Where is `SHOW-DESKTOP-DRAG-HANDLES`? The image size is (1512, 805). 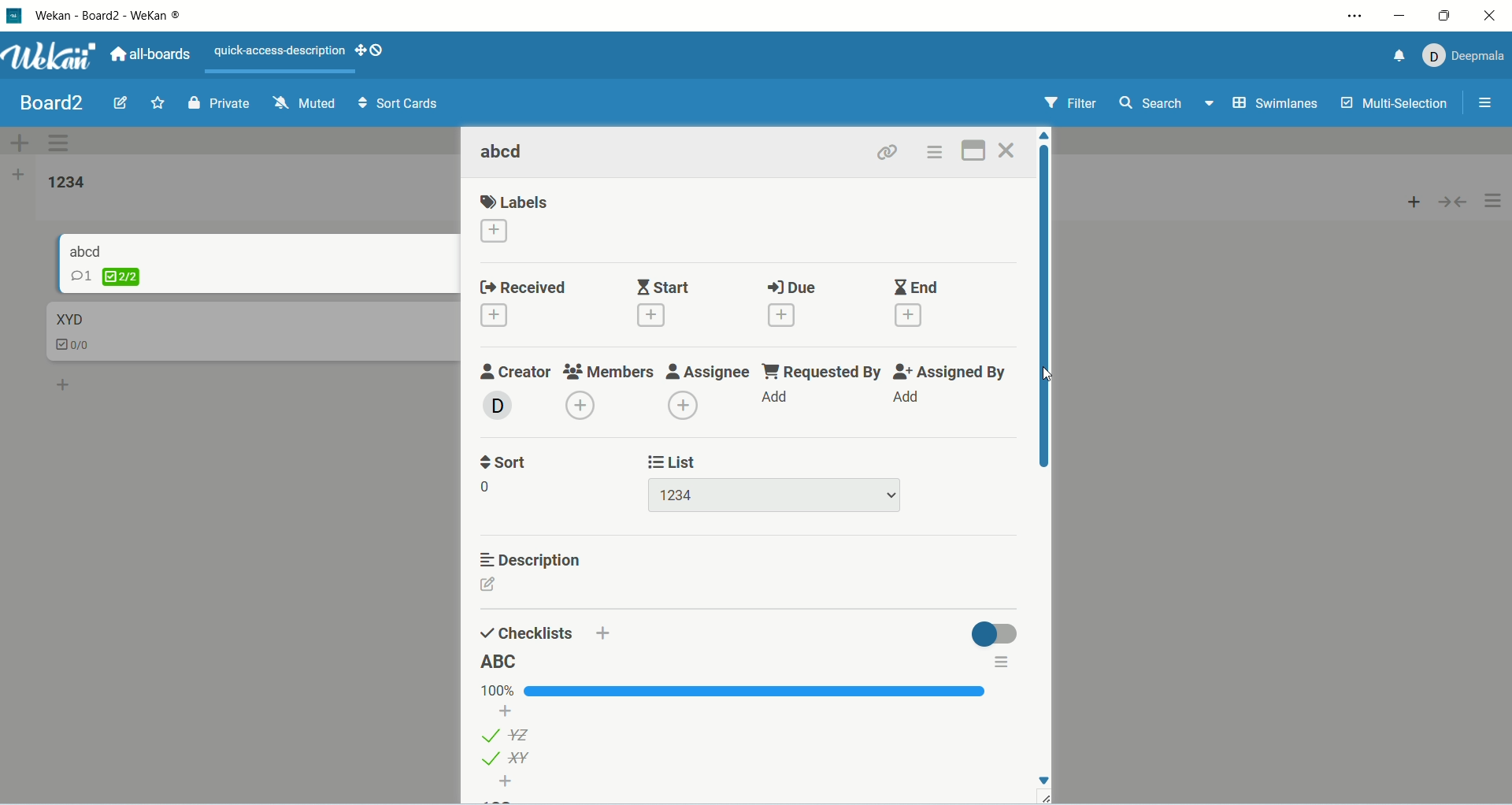
SHOW-DESKTOP-DRAG-HANDLES is located at coordinates (369, 50).